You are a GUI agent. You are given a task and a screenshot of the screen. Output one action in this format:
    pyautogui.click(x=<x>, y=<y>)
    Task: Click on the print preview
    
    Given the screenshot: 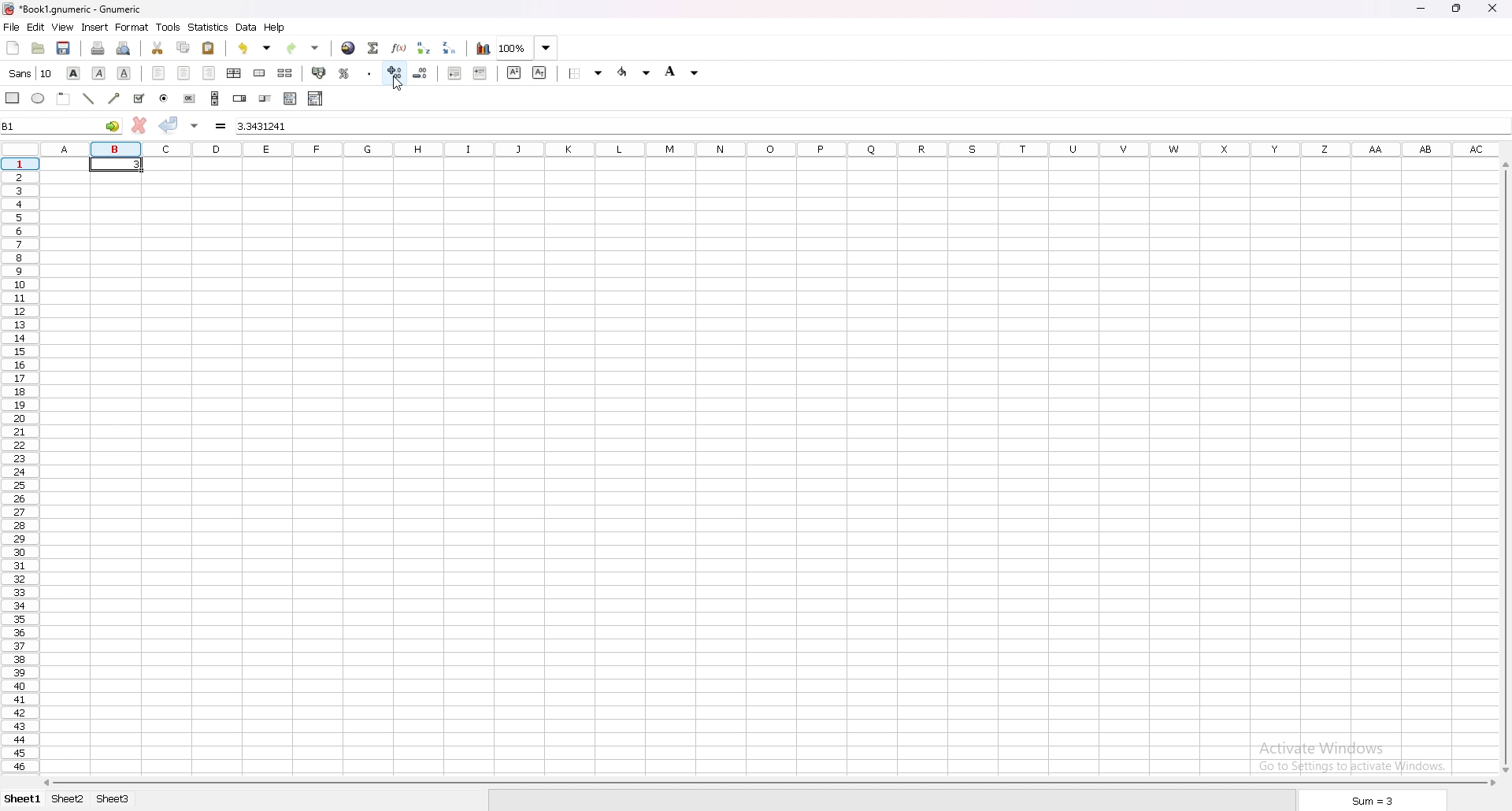 What is the action you would take?
    pyautogui.click(x=124, y=48)
    